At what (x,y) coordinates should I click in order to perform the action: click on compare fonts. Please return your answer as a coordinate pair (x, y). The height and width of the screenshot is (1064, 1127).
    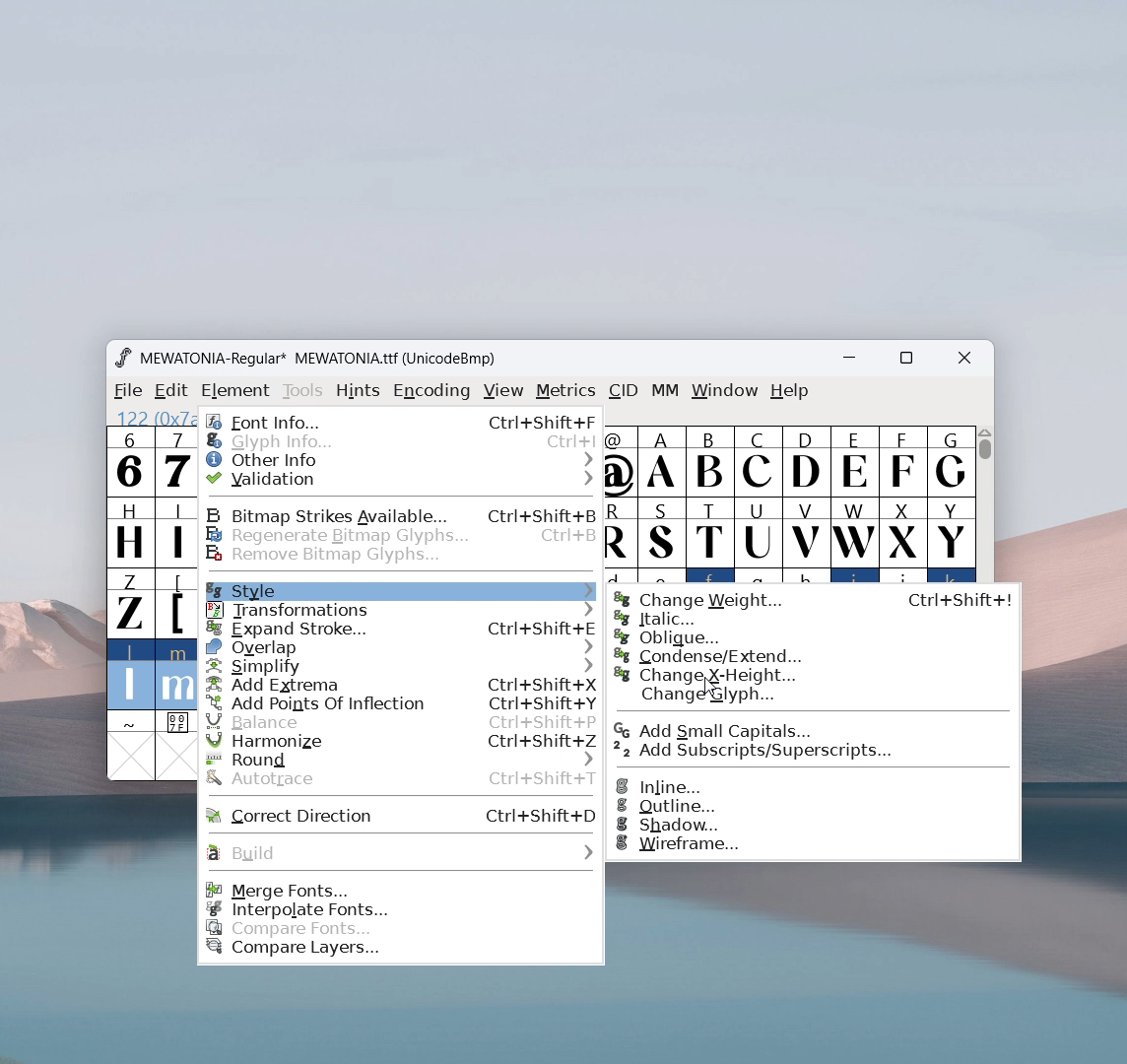
    Looking at the image, I should click on (401, 929).